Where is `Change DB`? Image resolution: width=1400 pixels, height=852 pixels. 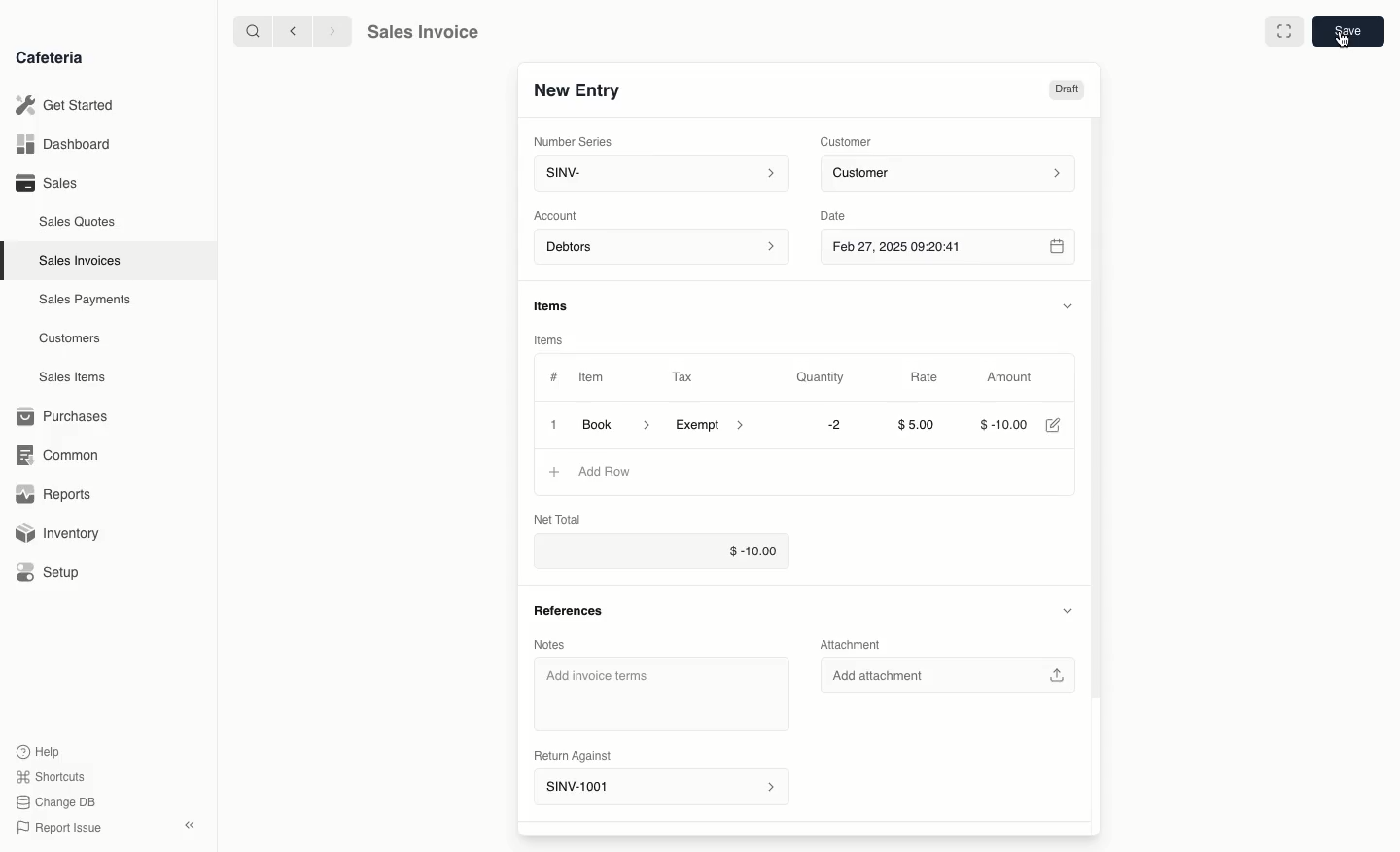
Change DB is located at coordinates (59, 801).